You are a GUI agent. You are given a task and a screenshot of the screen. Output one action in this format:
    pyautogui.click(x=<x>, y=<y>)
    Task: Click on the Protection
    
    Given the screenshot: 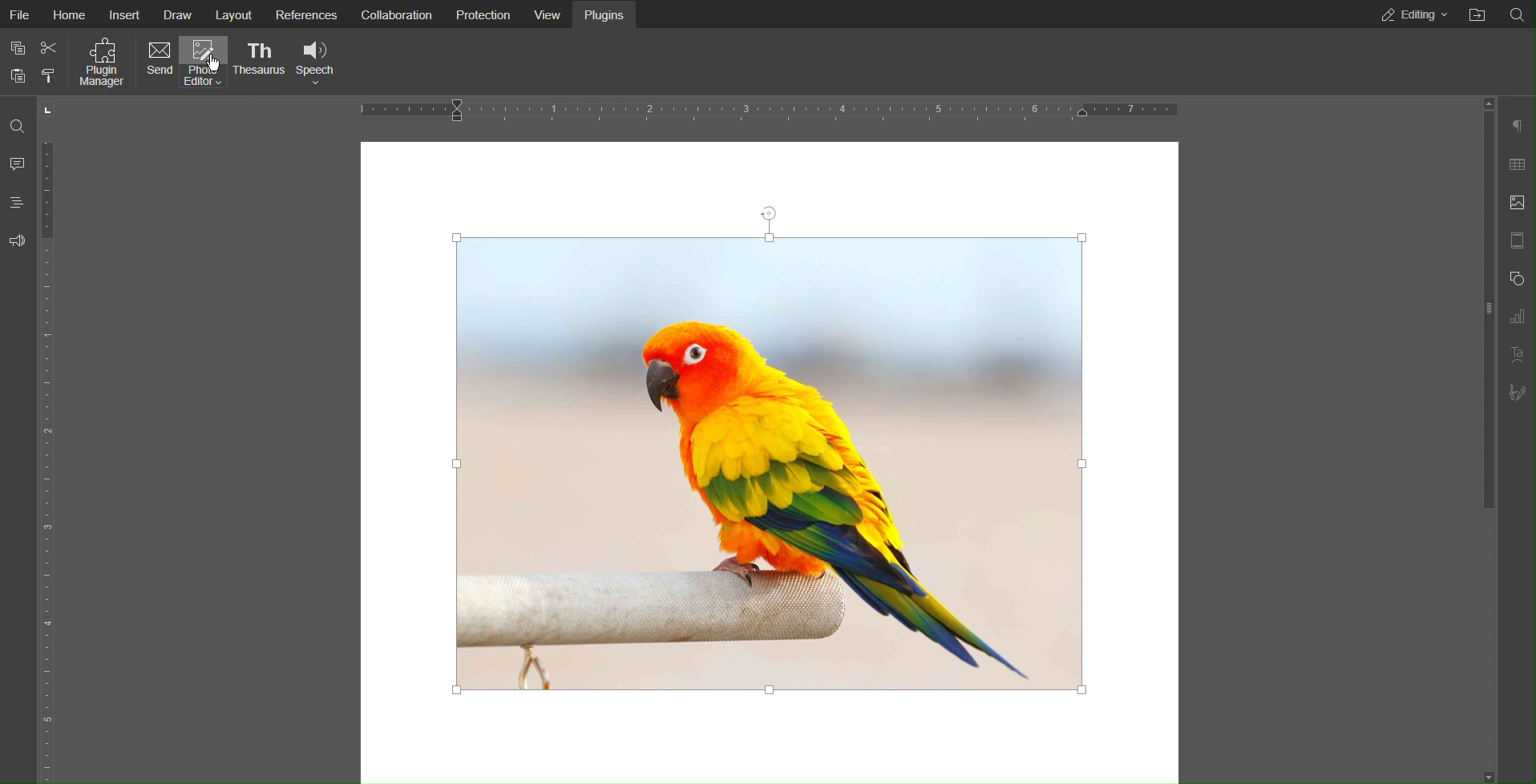 What is the action you would take?
    pyautogui.click(x=479, y=14)
    